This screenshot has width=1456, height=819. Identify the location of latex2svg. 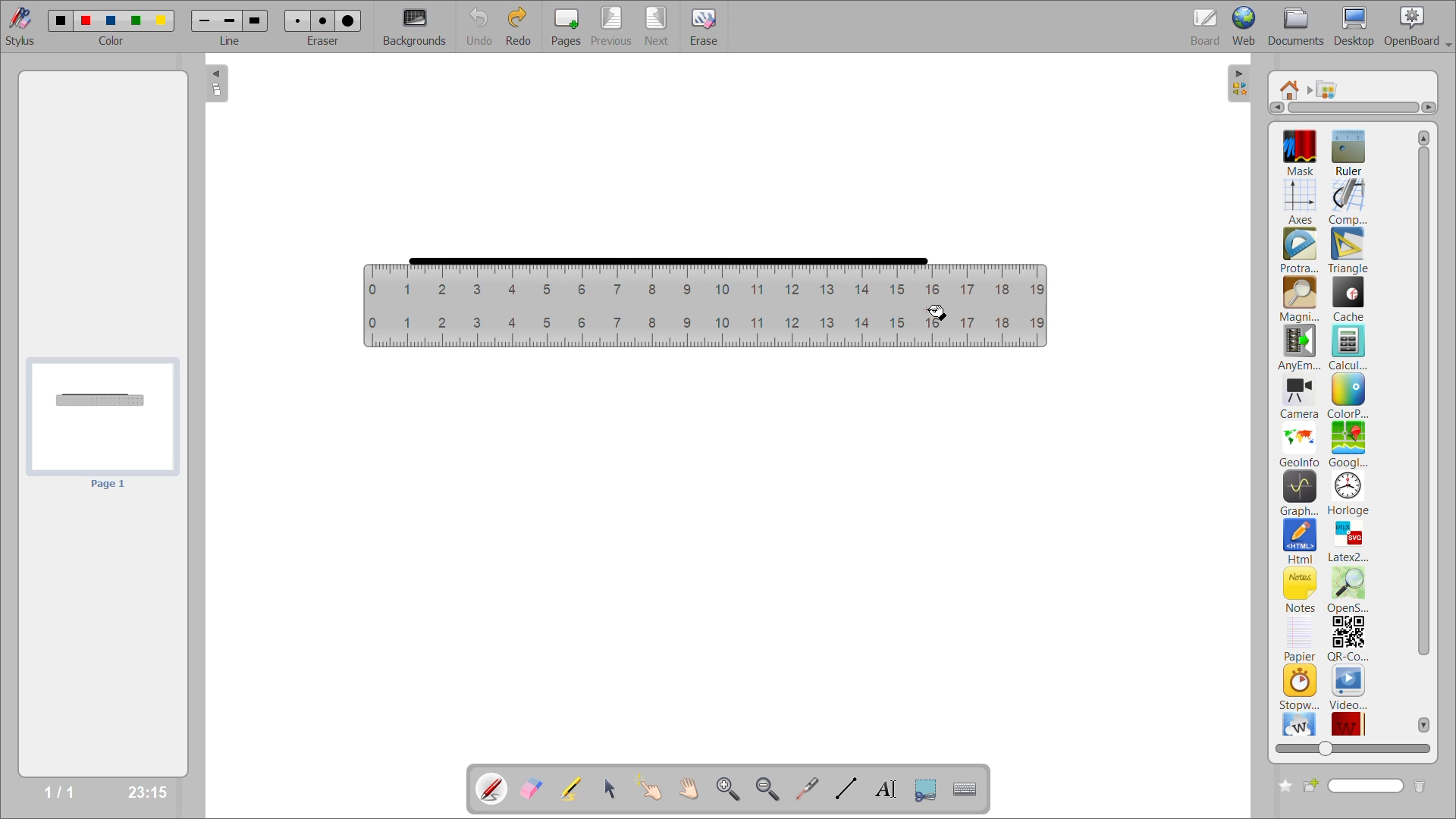
(1348, 541).